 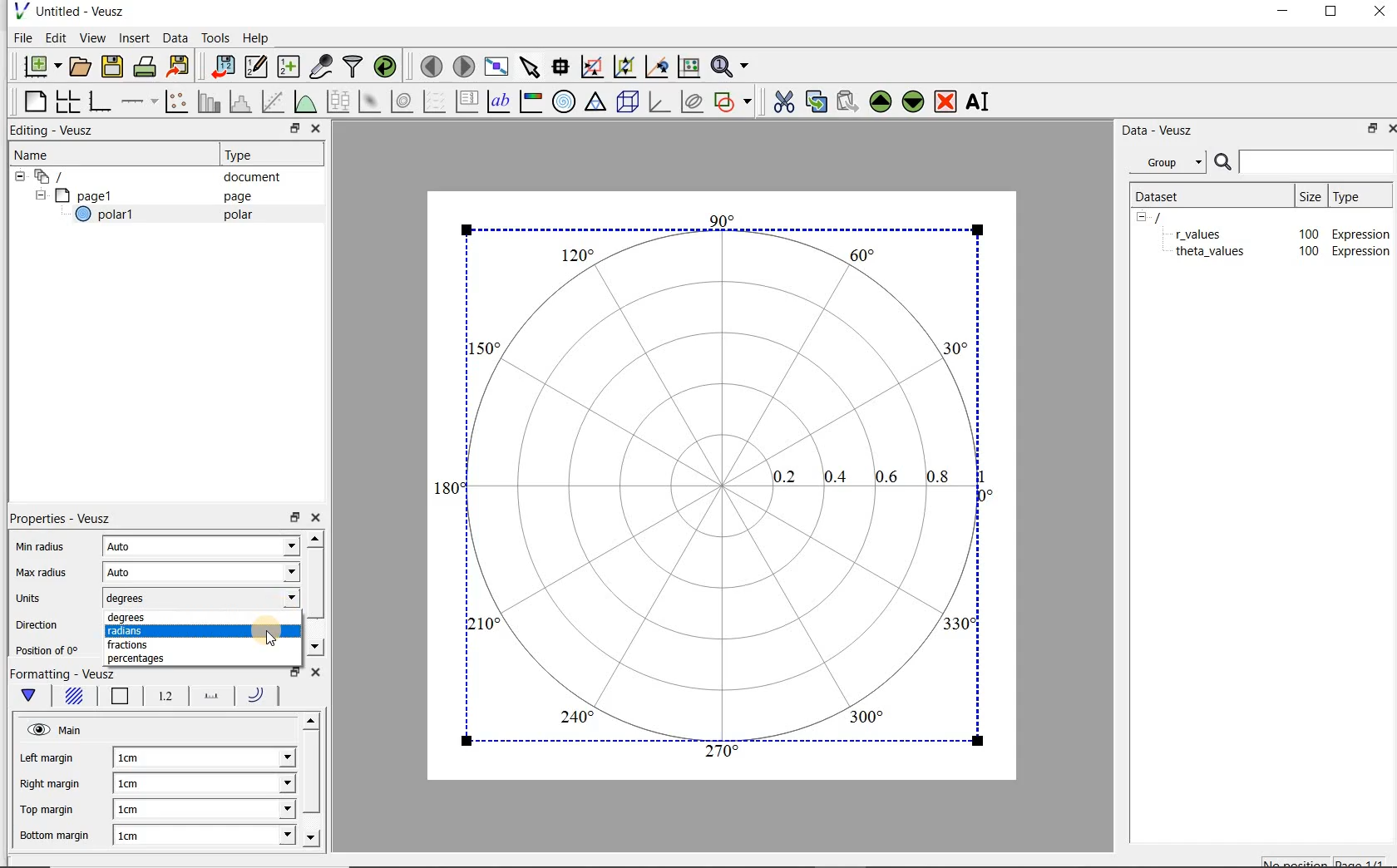 I want to click on Type, so click(x=245, y=155).